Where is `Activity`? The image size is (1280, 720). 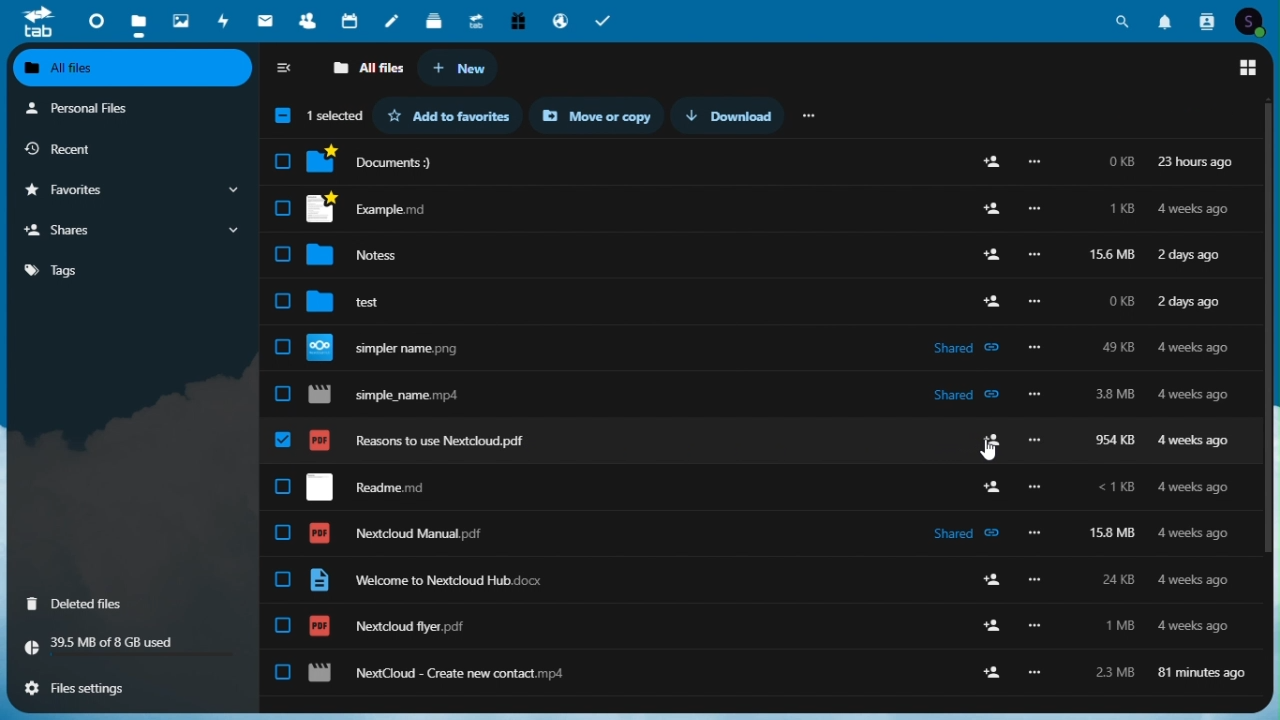
Activity is located at coordinates (225, 21).